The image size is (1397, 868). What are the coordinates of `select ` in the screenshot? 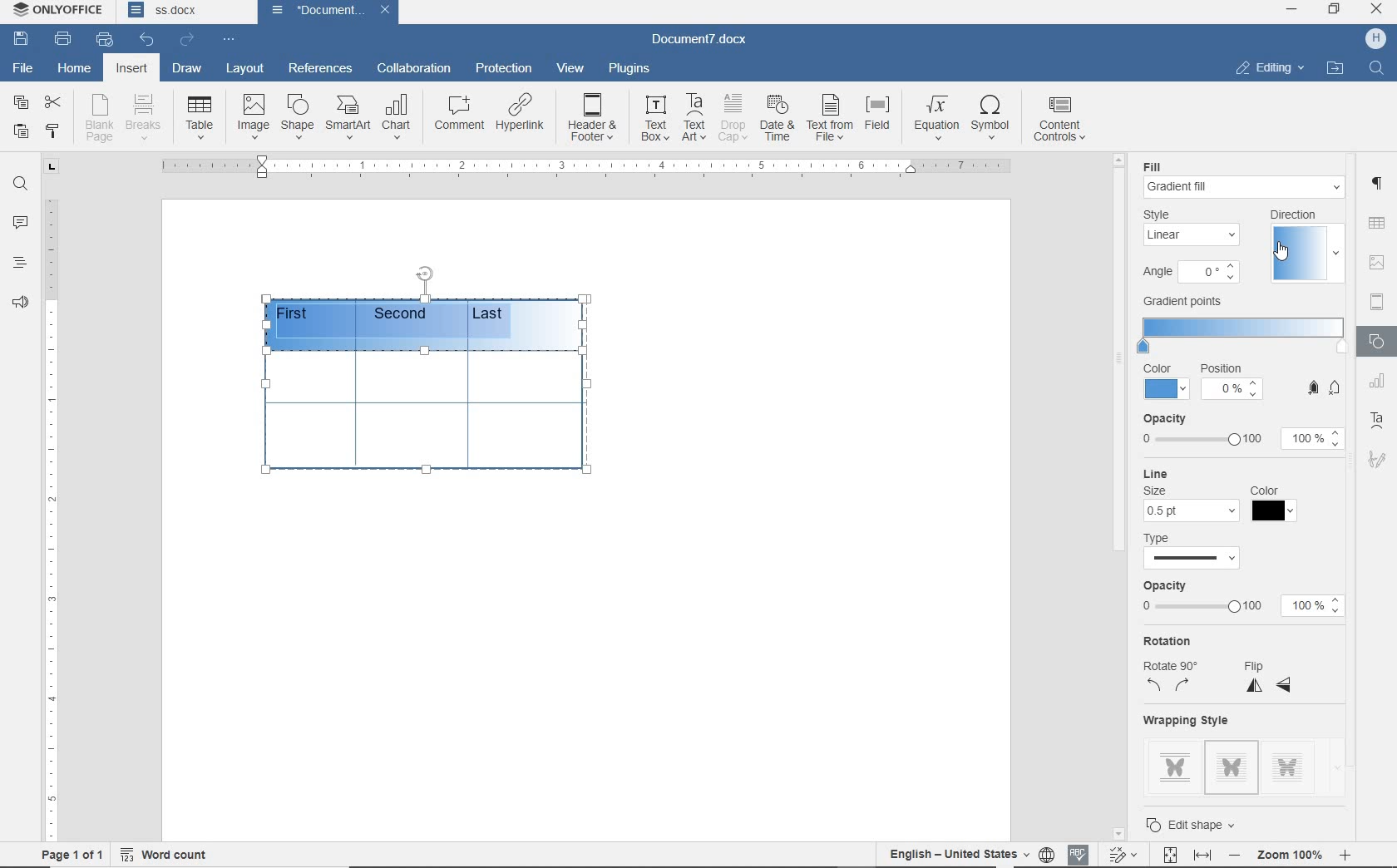 It's located at (1306, 253).